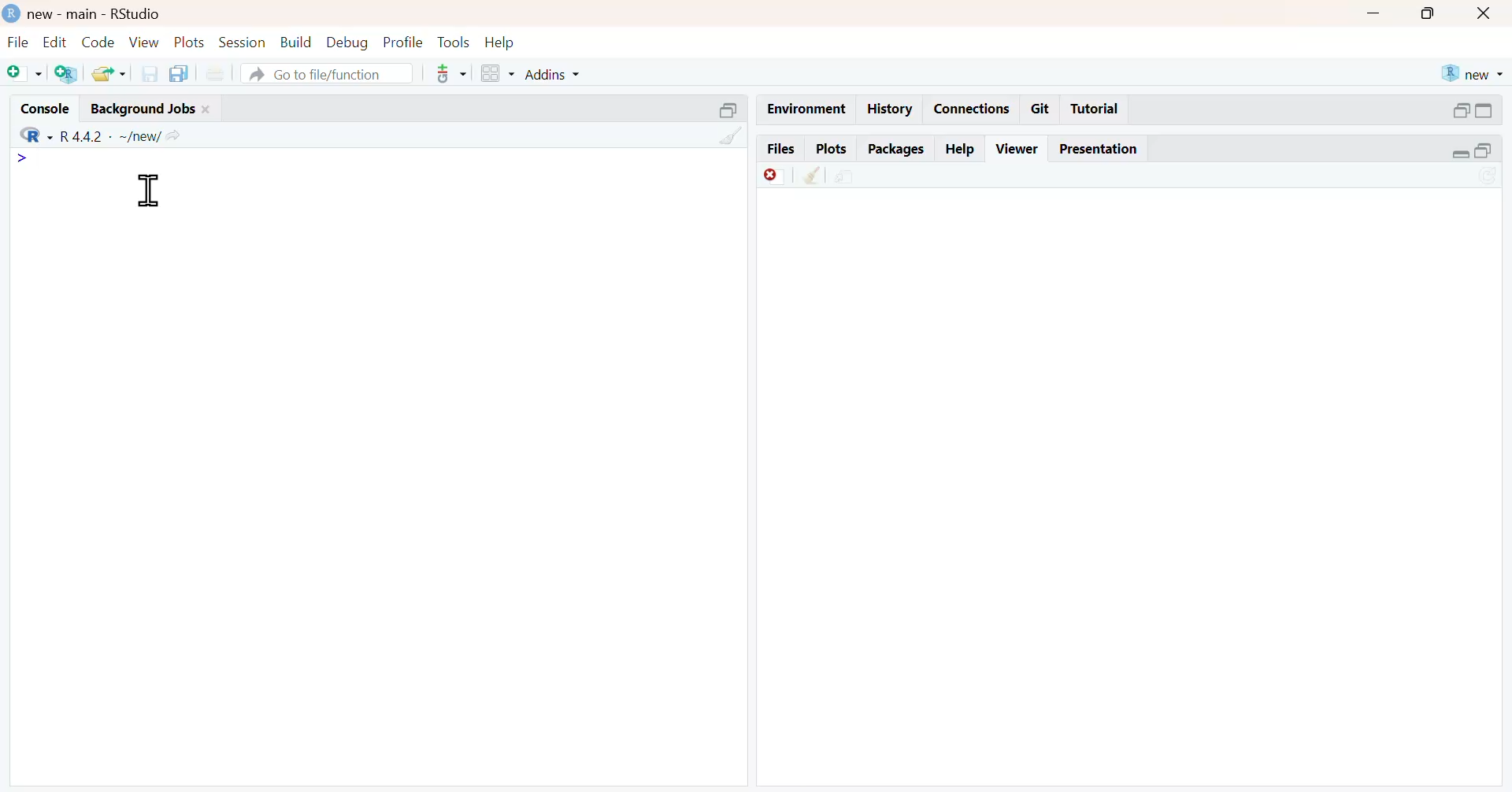 Image resolution: width=1512 pixels, height=792 pixels. I want to click on view the current working directory, so click(178, 135).